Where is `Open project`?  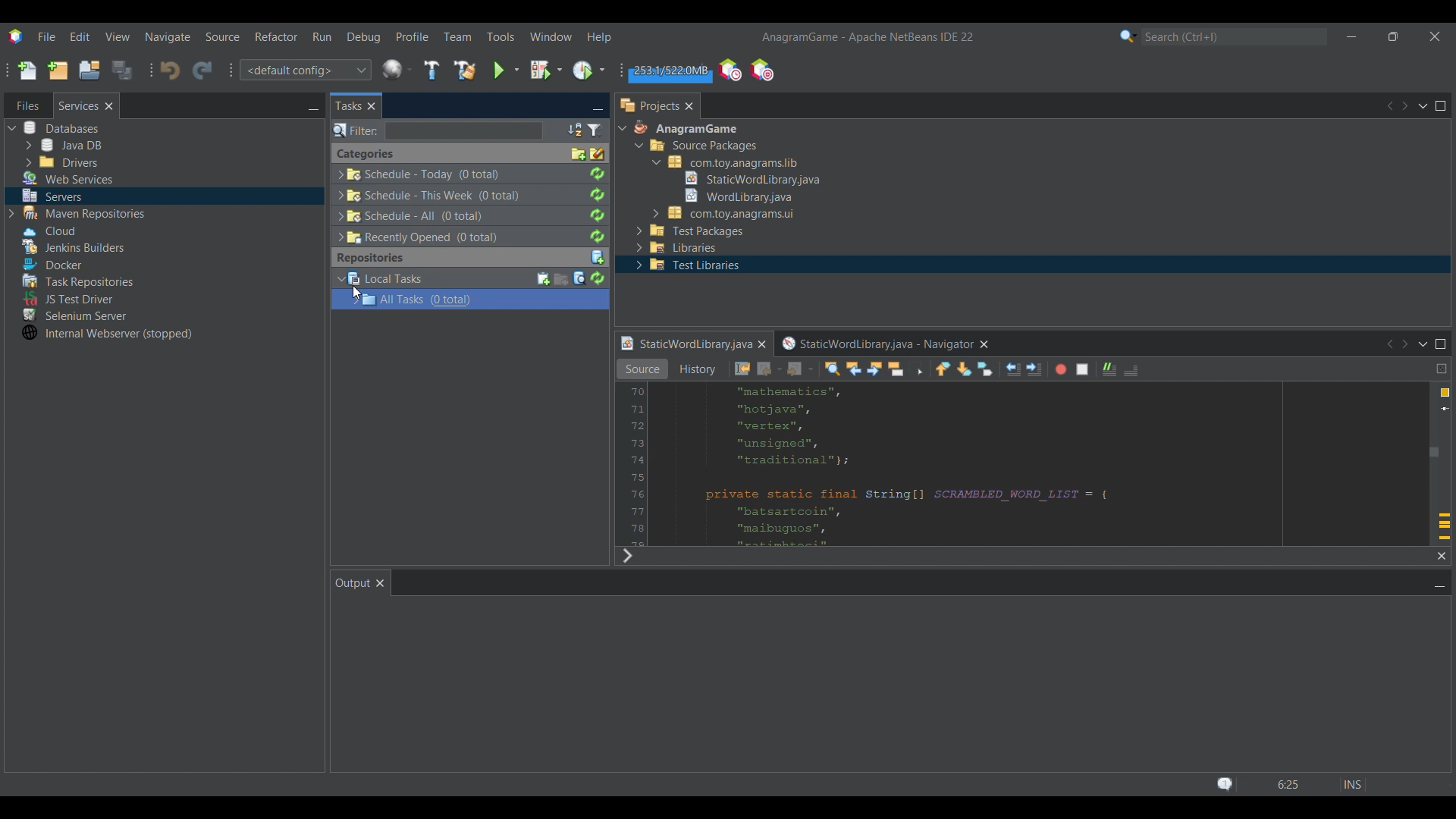 Open project is located at coordinates (89, 71).